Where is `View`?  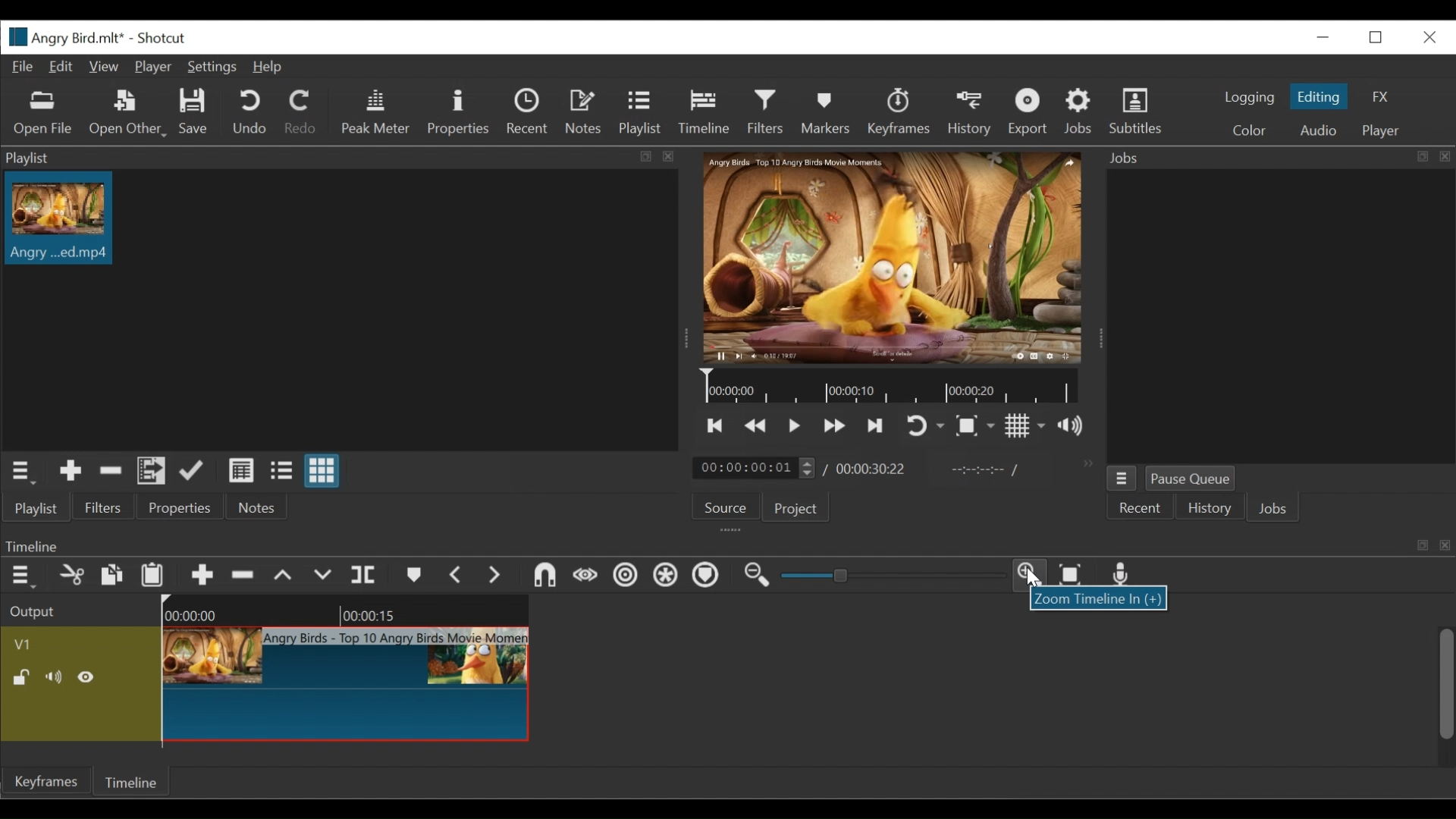 View is located at coordinates (105, 67).